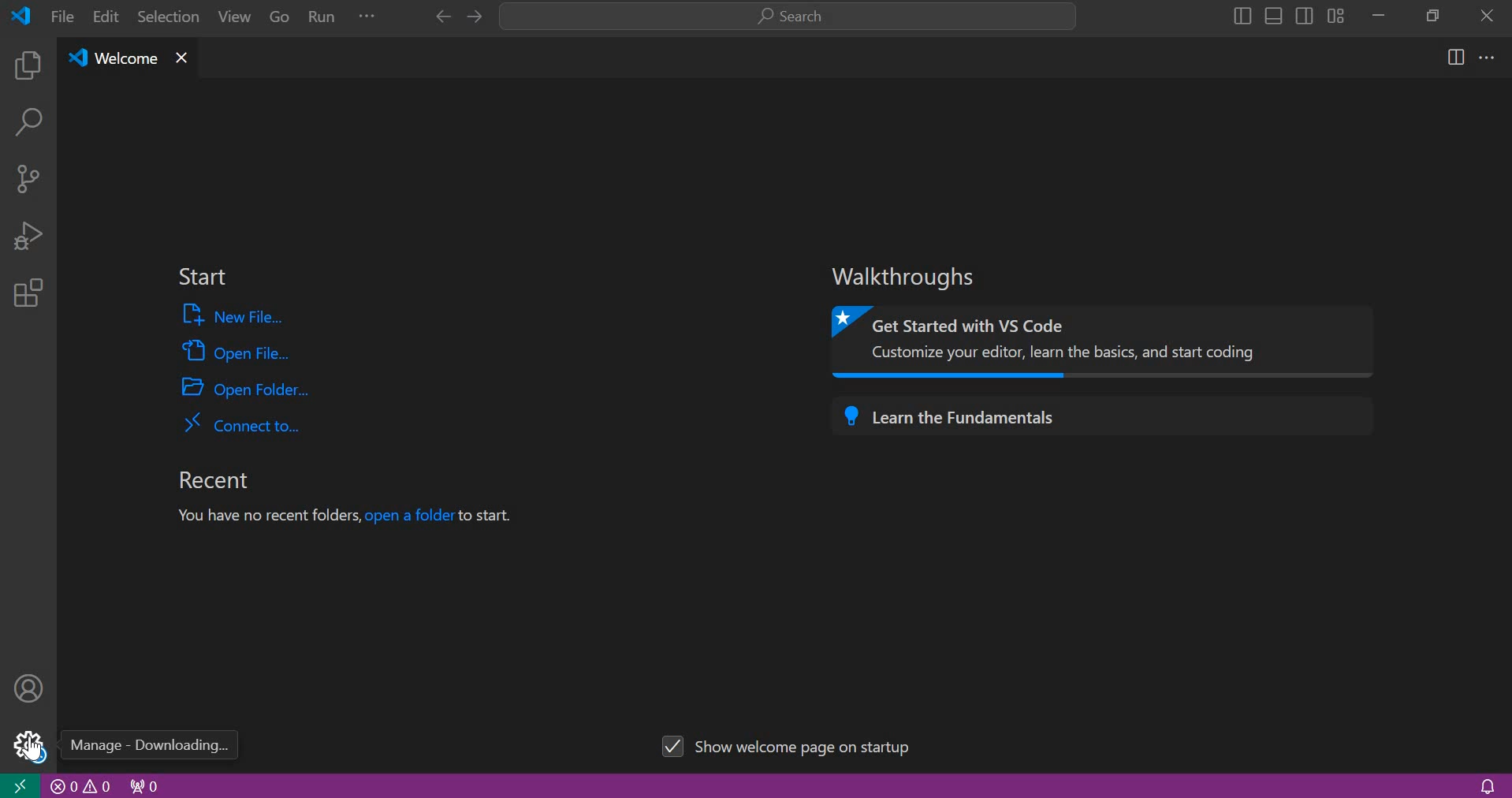 Image resolution: width=1512 pixels, height=798 pixels. Describe the element at coordinates (791, 744) in the screenshot. I see `show welcome page on startup` at that location.